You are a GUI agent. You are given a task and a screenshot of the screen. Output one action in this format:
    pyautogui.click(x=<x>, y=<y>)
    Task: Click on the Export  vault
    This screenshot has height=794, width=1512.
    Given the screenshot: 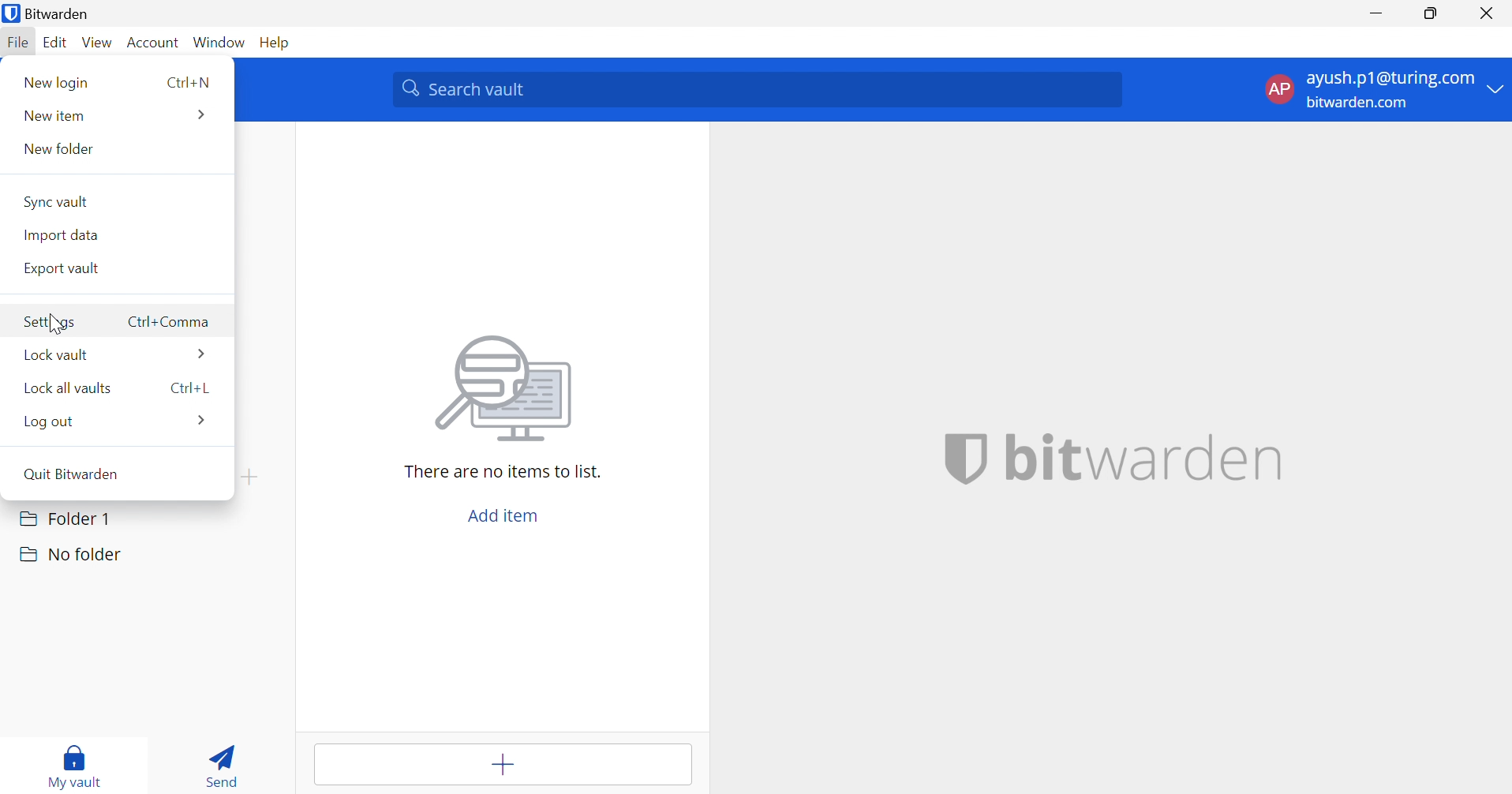 What is the action you would take?
    pyautogui.click(x=65, y=269)
    